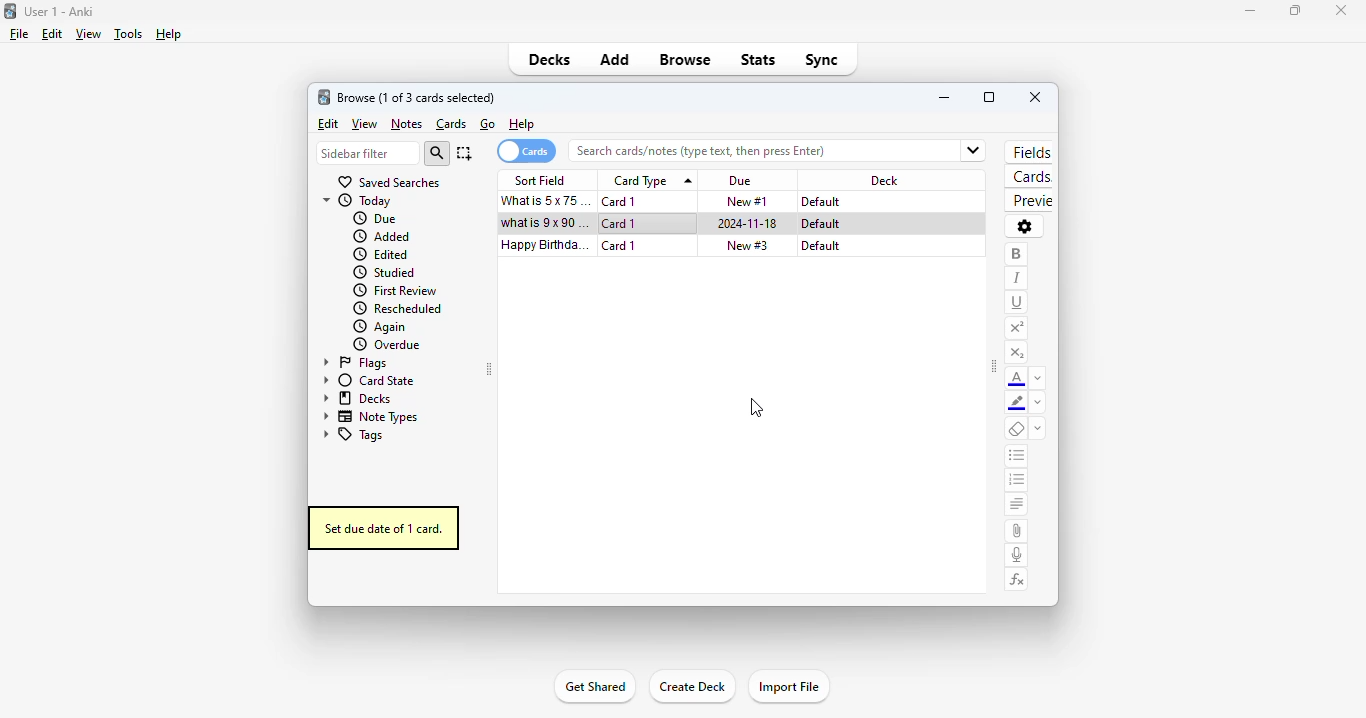 This screenshot has height=718, width=1366. Describe the element at coordinates (1029, 152) in the screenshot. I see `fields` at that location.